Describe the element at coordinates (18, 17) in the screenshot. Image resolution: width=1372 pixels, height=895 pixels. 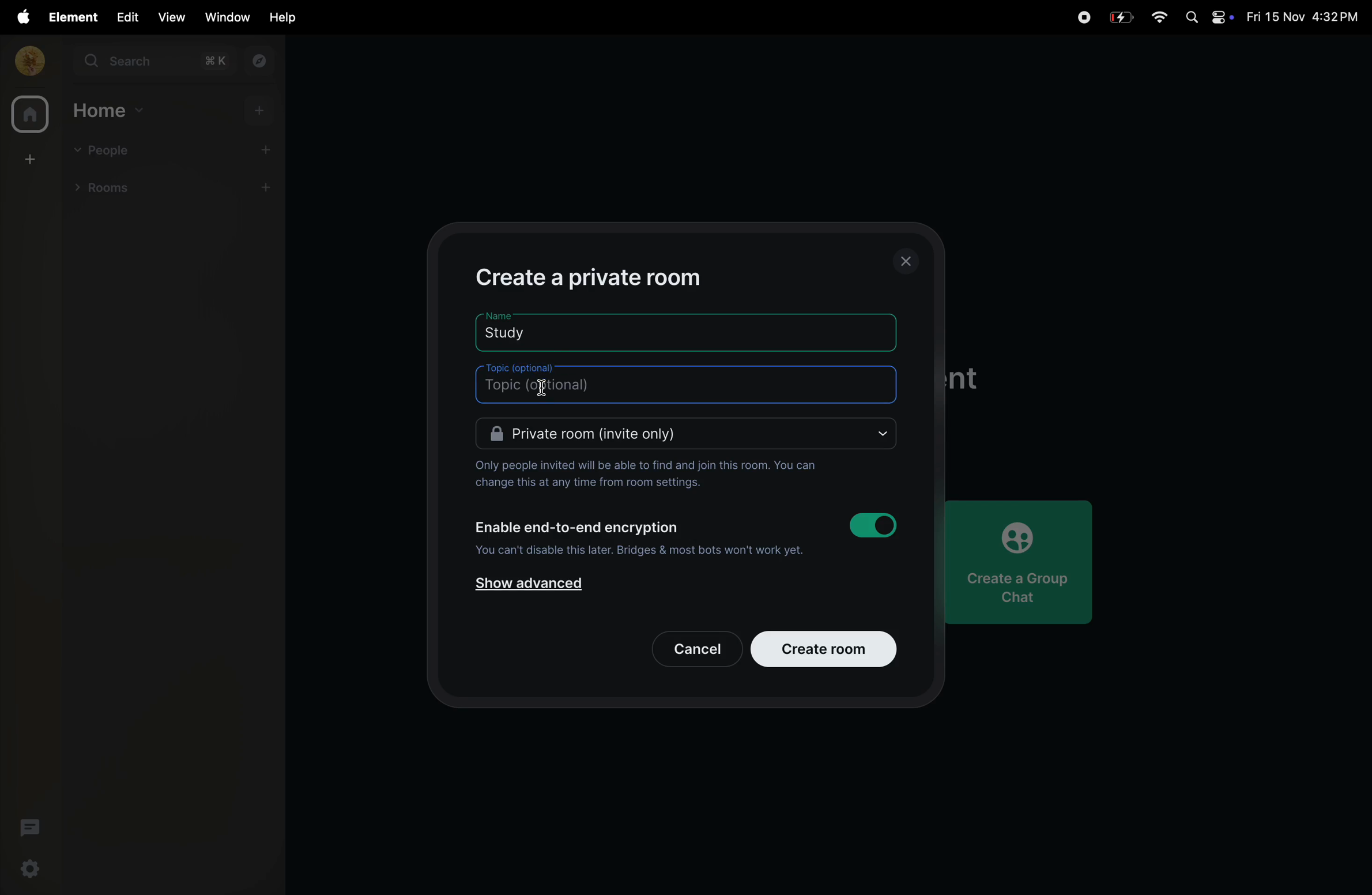
I see `apple menu` at that location.